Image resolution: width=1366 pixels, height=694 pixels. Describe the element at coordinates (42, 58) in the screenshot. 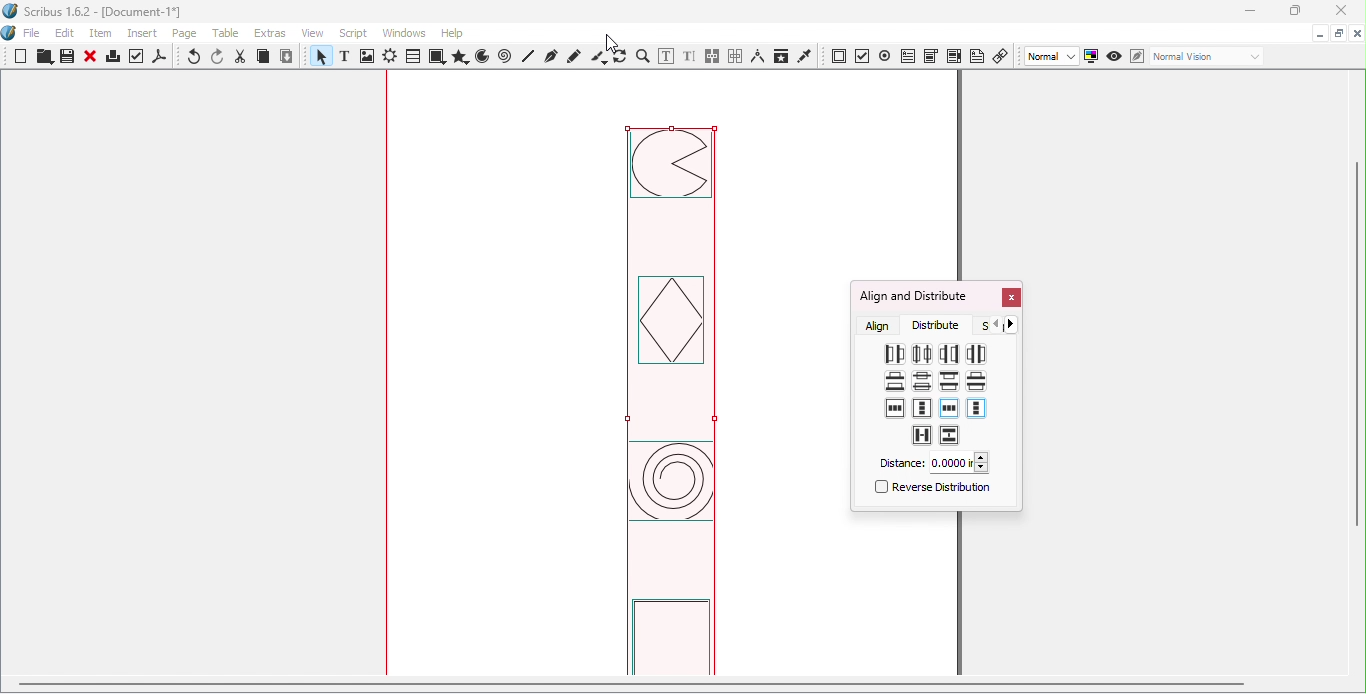

I see `Open` at that location.